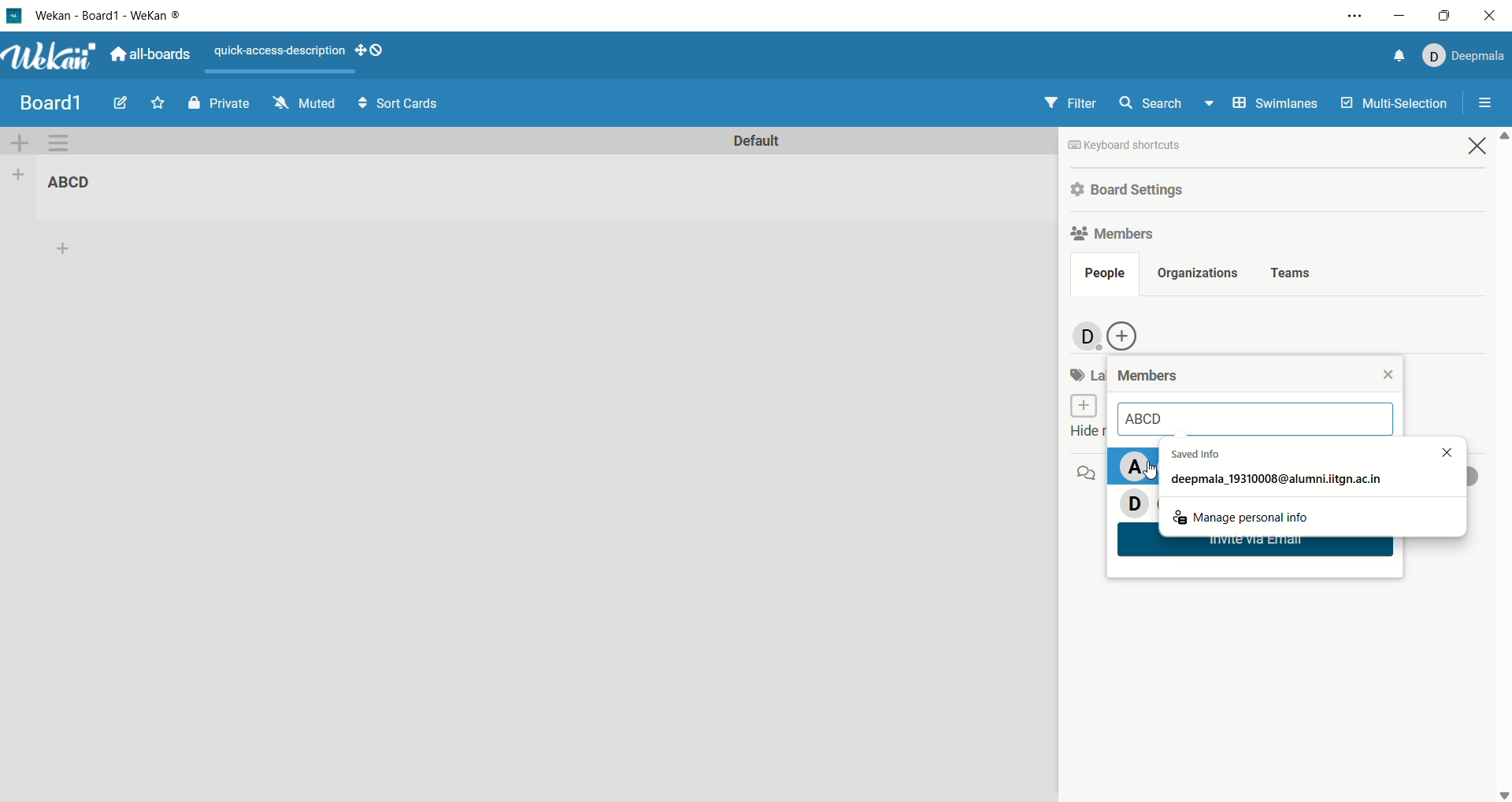 This screenshot has width=1512, height=802. Describe the element at coordinates (1278, 470) in the screenshot. I see `saved info` at that location.